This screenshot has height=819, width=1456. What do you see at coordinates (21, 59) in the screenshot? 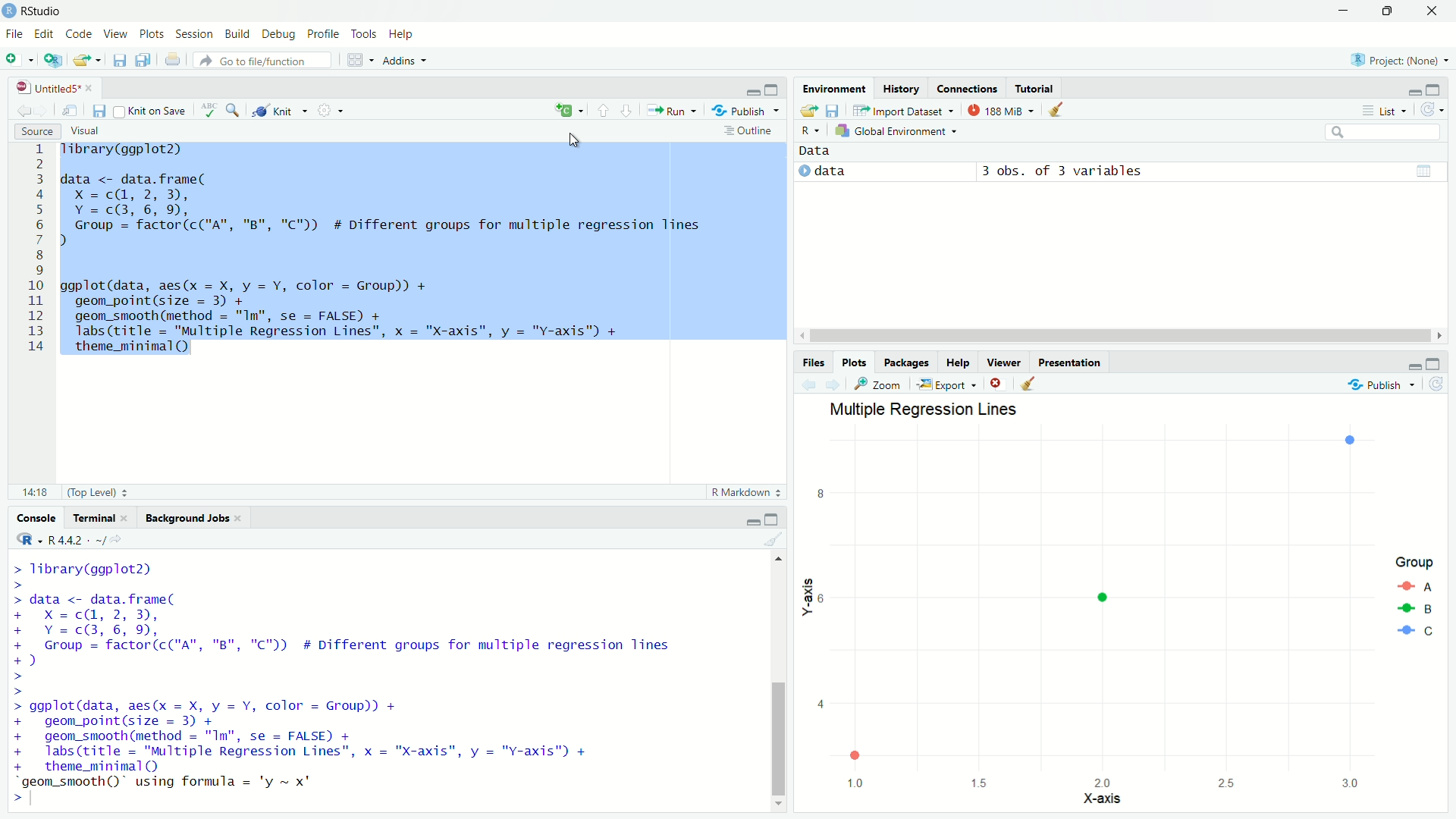
I see `add file` at bounding box center [21, 59].